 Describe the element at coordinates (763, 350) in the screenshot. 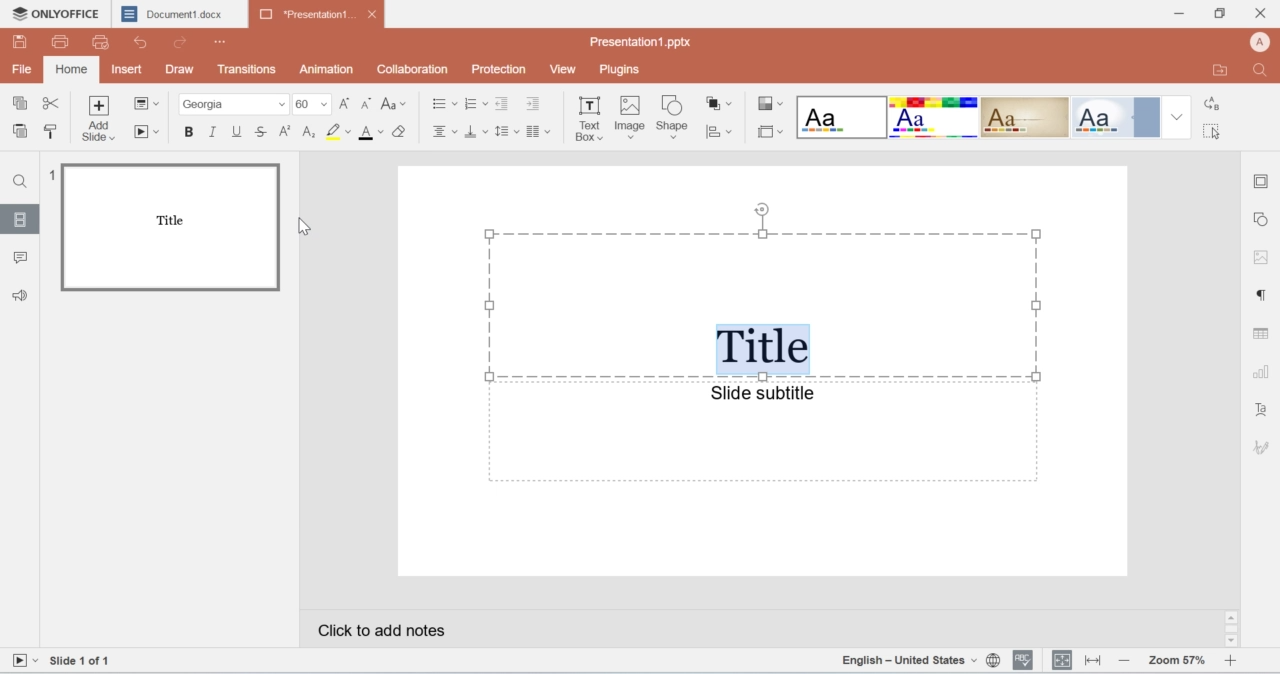

I see `Title` at that location.